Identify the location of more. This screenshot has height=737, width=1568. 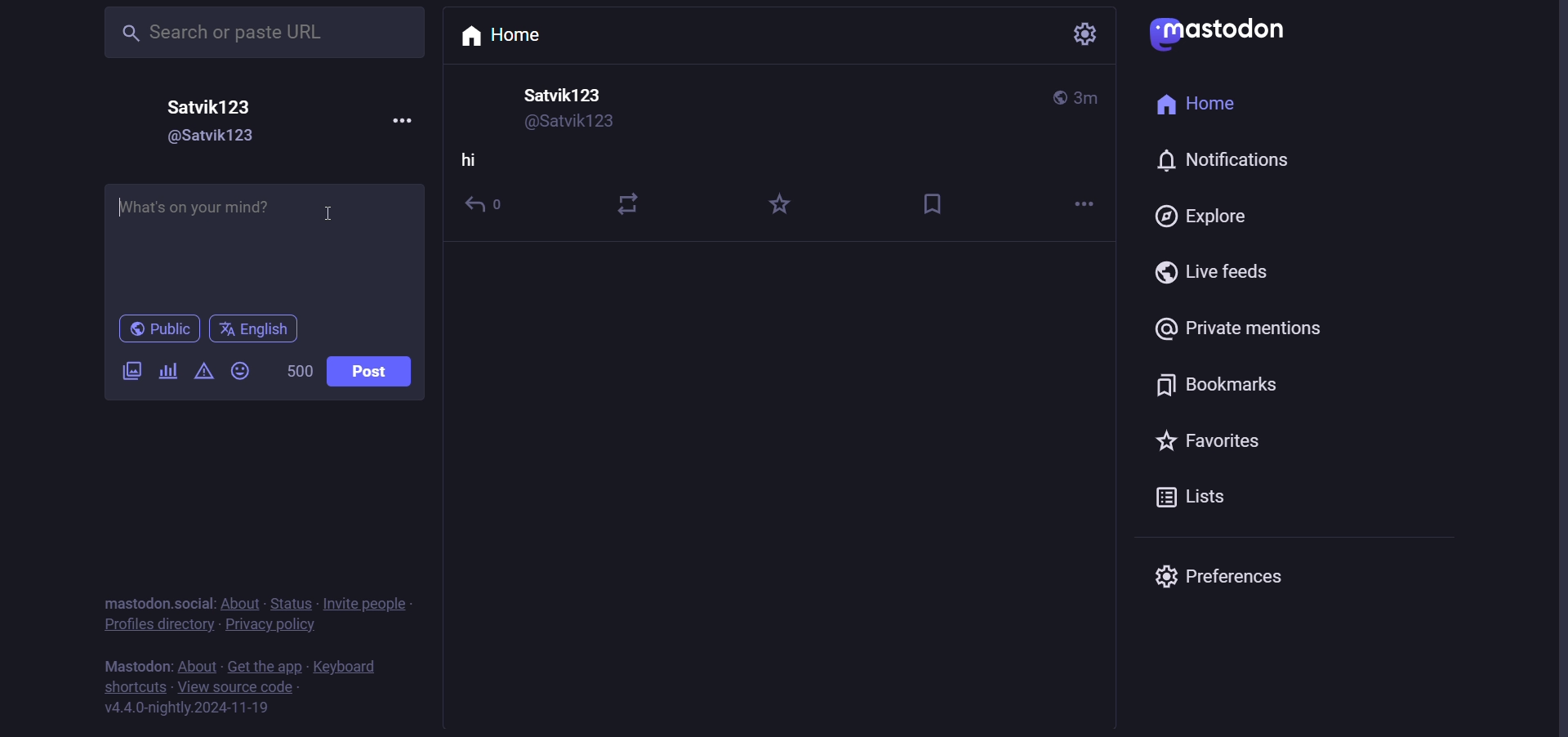
(1079, 205).